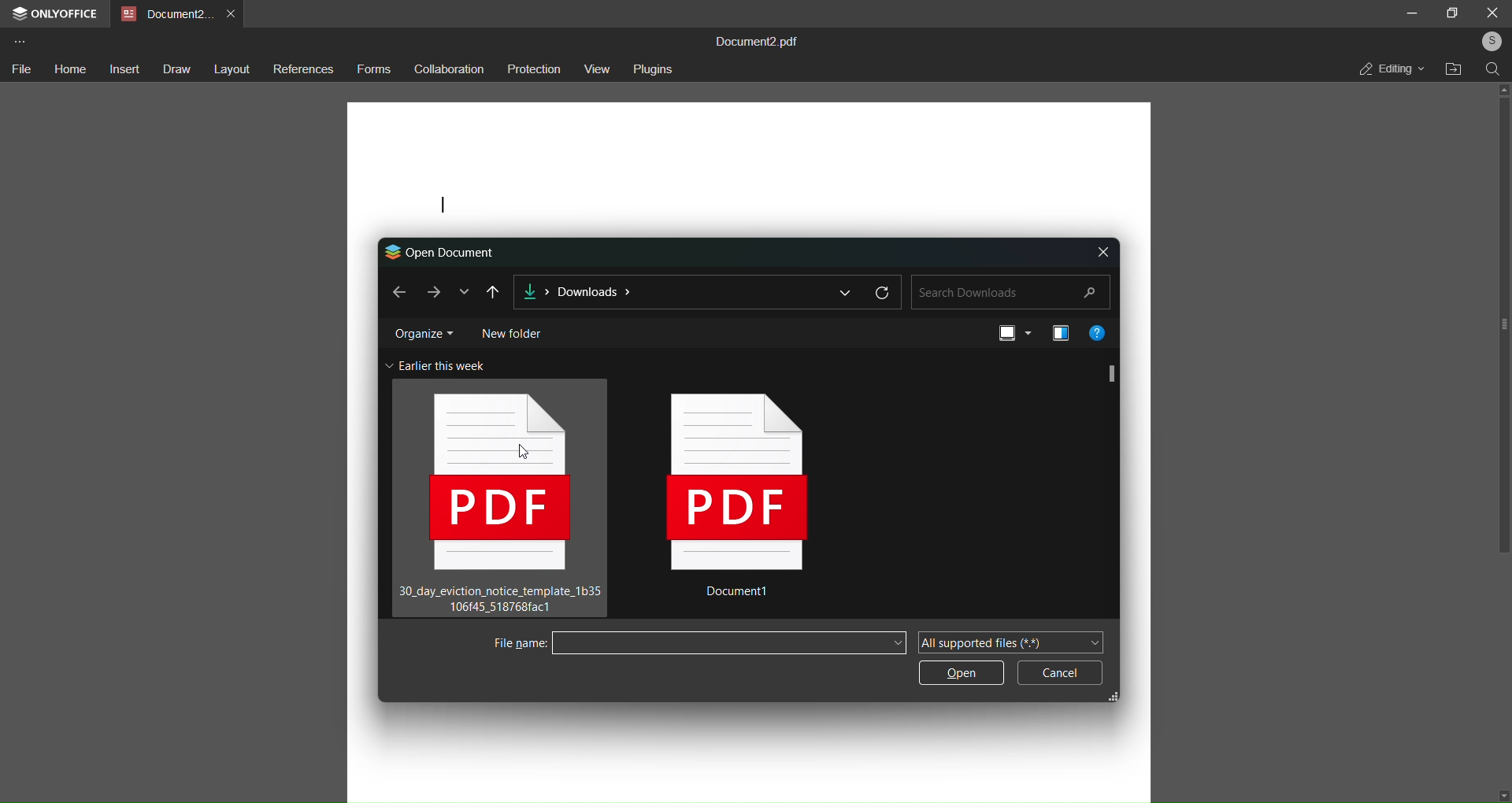  Describe the element at coordinates (598, 68) in the screenshot. I see `view` at that location.